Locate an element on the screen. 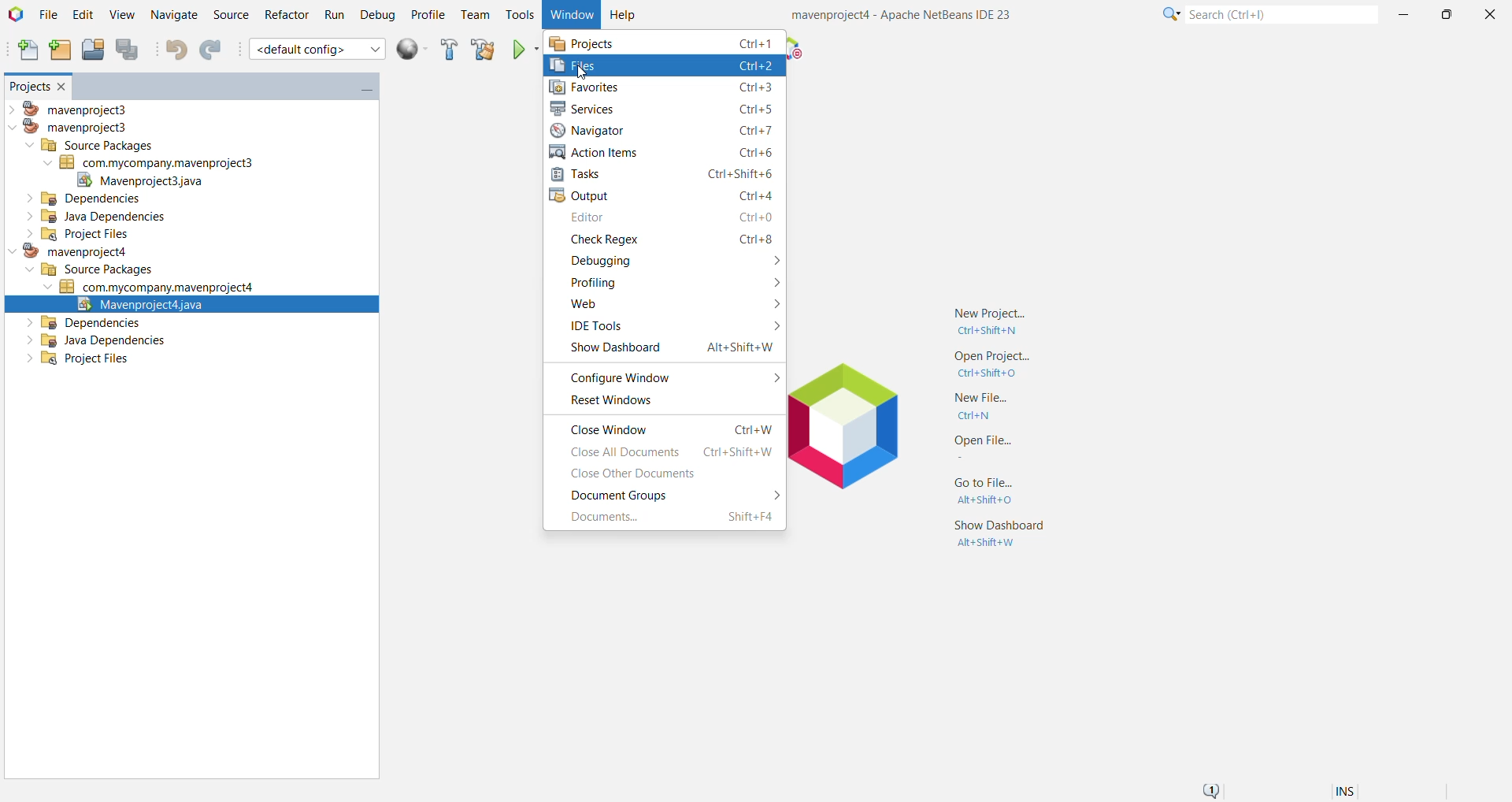 The height and width of the screenshot is (802, 1512). File is located at coordinates (49, 15).